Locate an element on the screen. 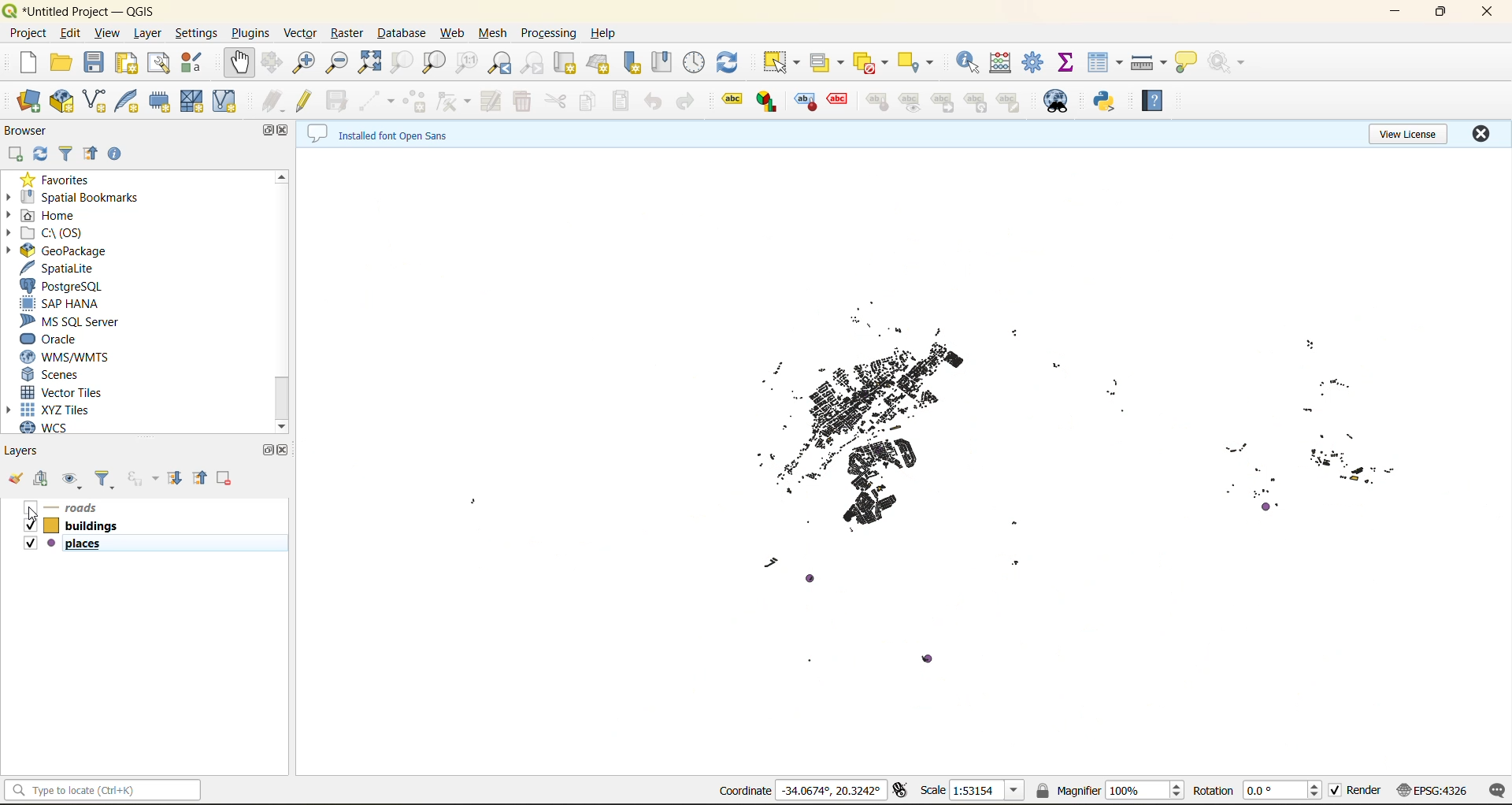  save is located at coordinates (94, 65).